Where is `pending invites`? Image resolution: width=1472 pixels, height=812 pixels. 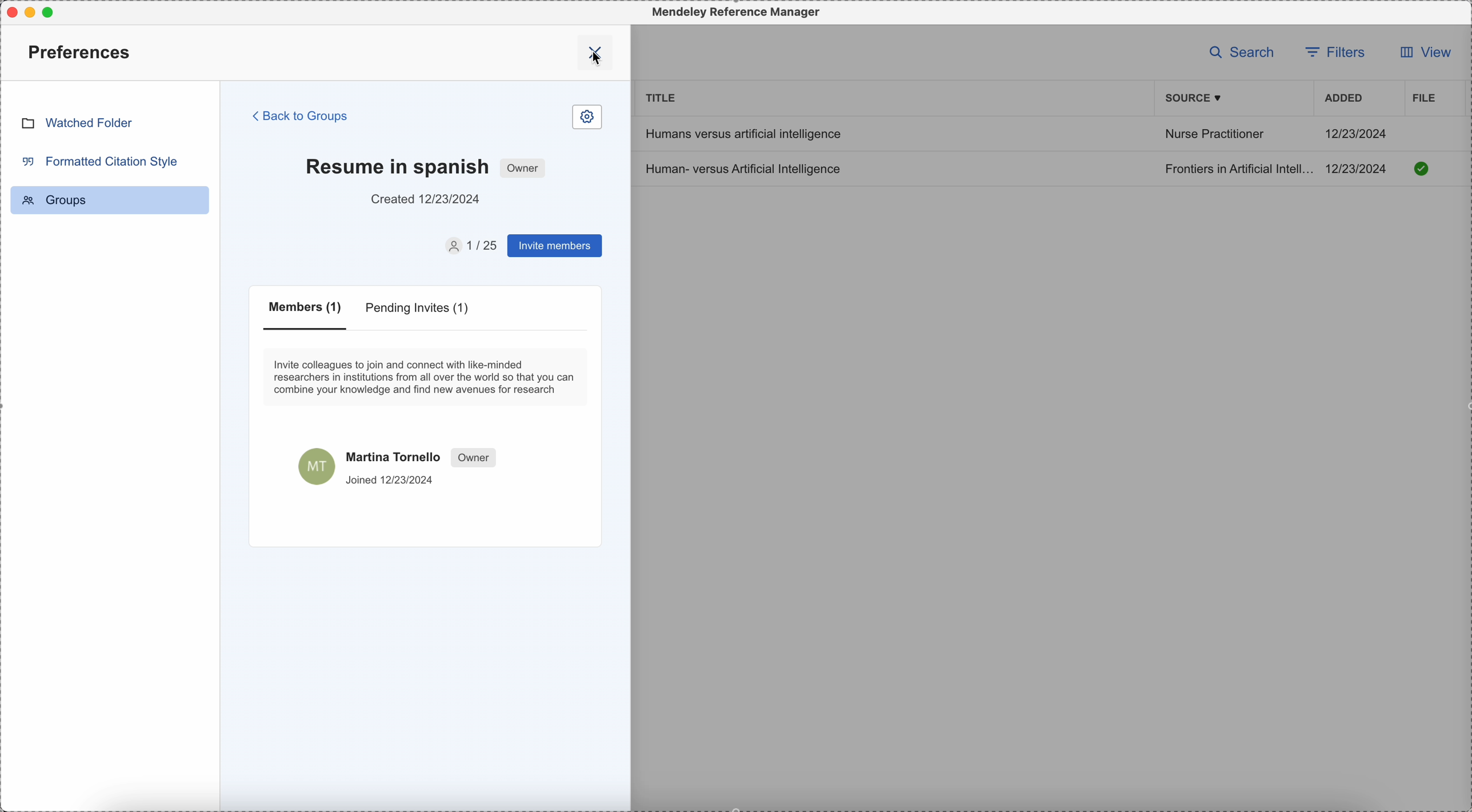
pending invites is located at coordinates (419, 310).